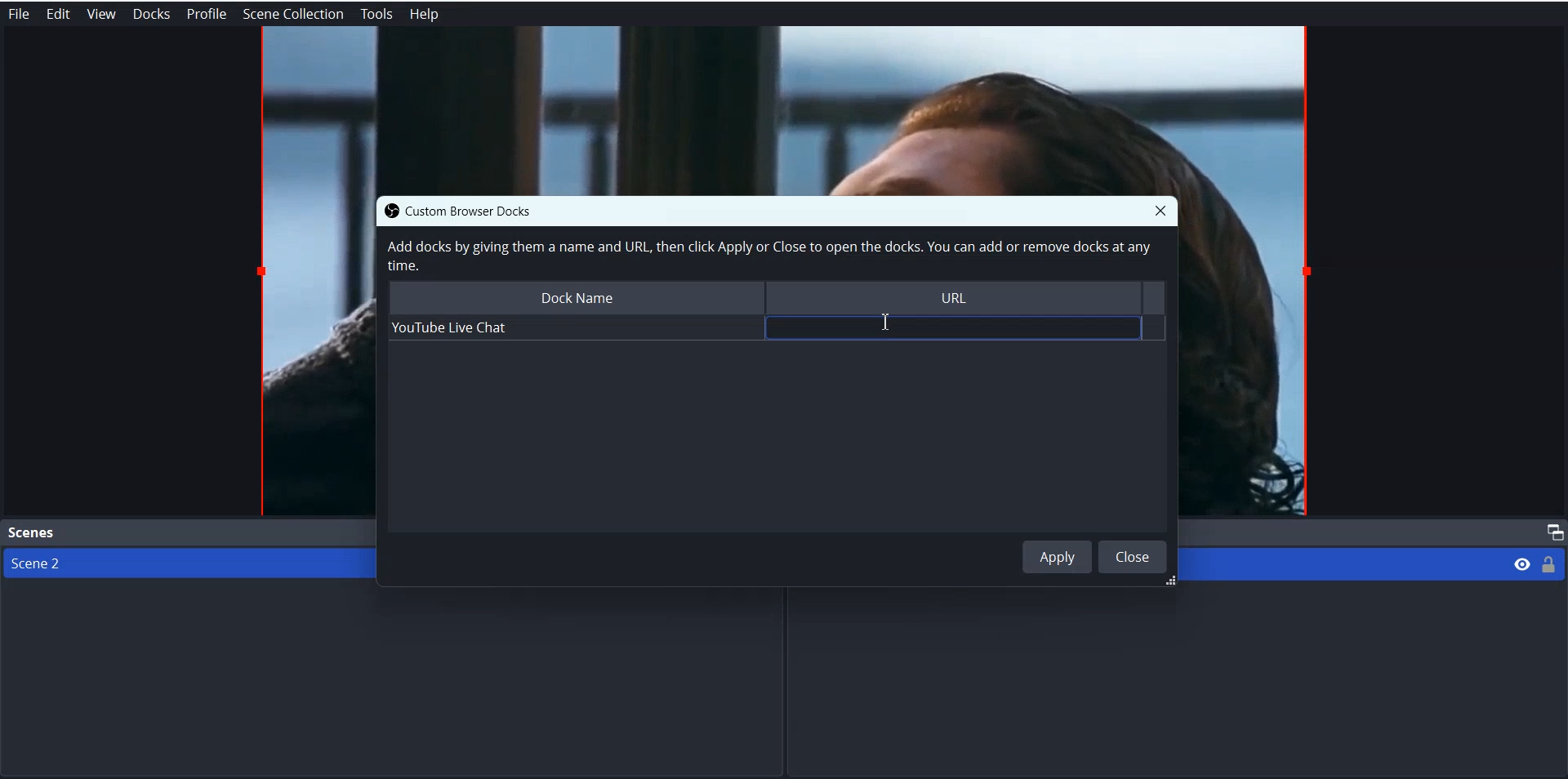  What do you see at coordinates (1058, 556) in the screenshot?
I see `Apply` at bounding box center [1058, 556].